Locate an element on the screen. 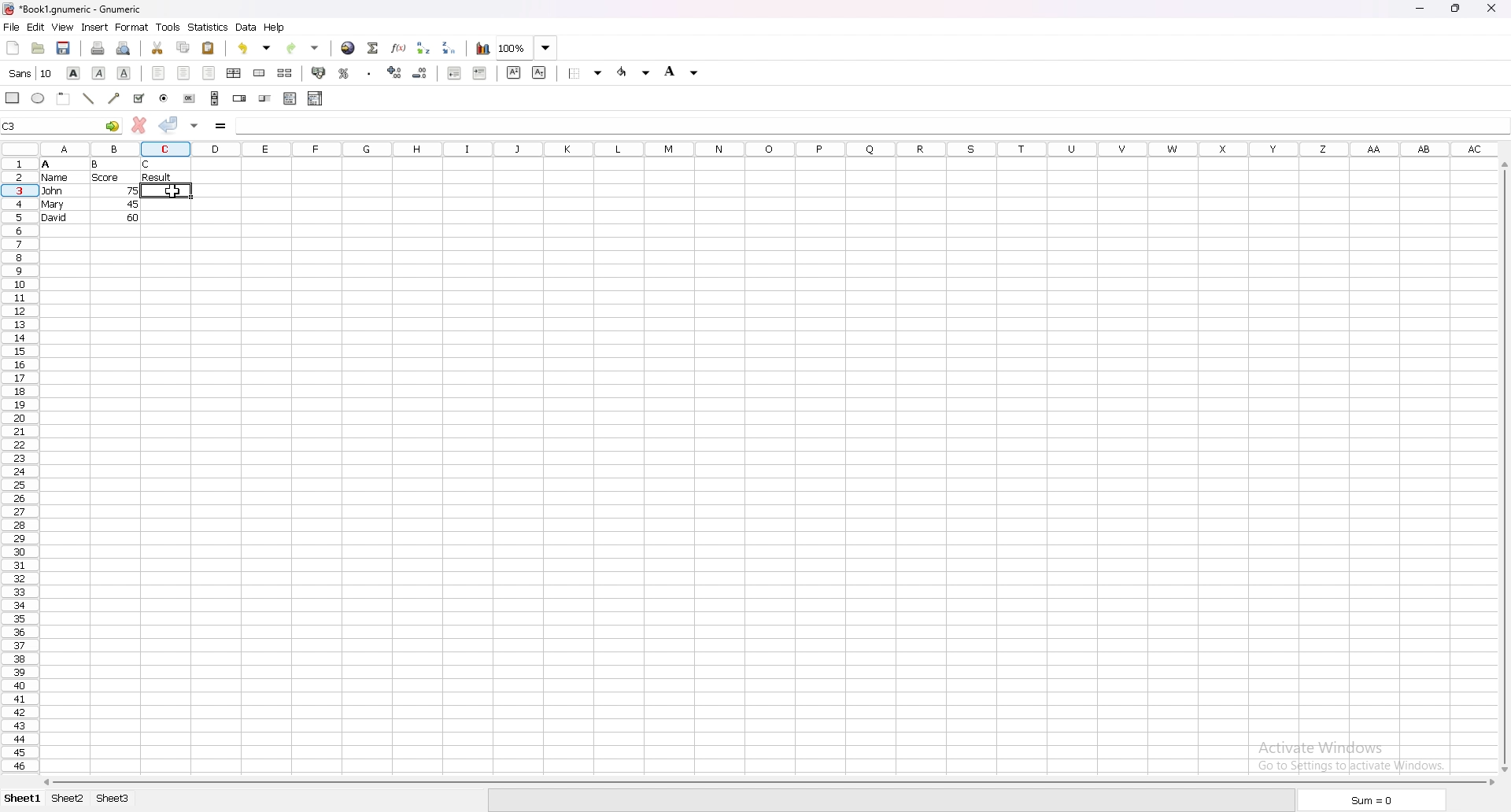  mary is located at coordinates (53, 205).